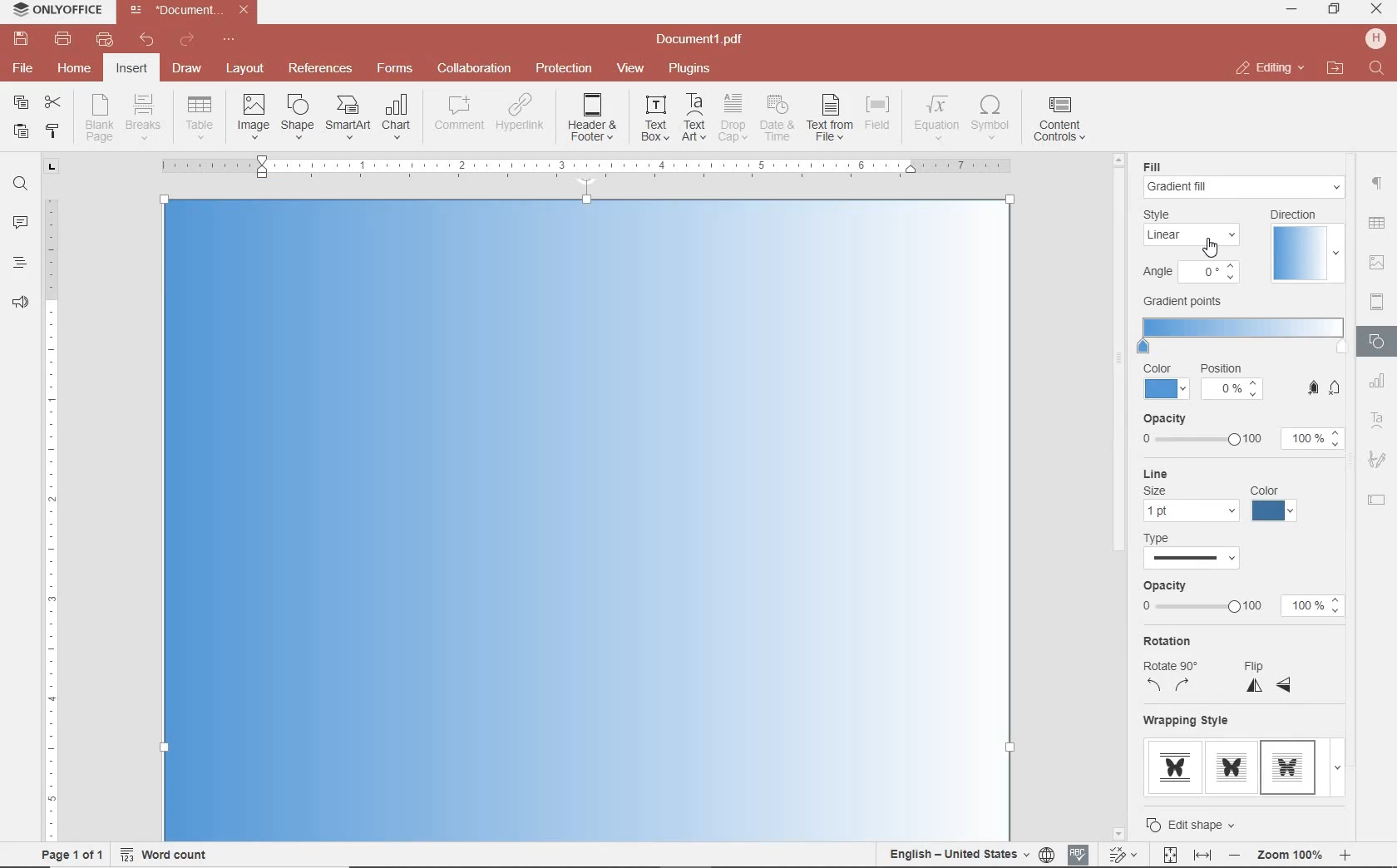  Describe the element at coordinates (72, 67) in the screenshot. I see `home` at that location.